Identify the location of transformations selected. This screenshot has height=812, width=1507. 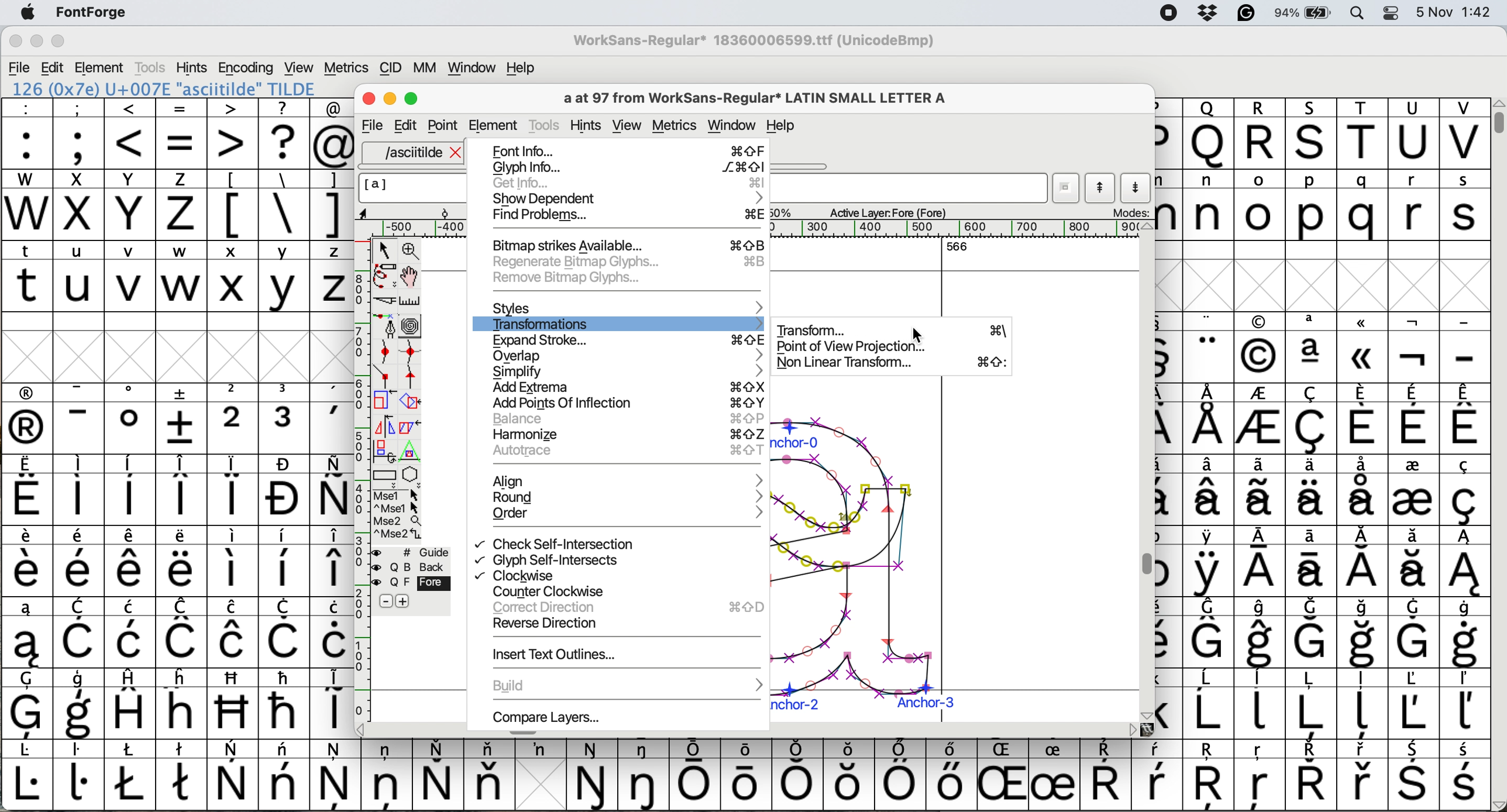
(620, 324).